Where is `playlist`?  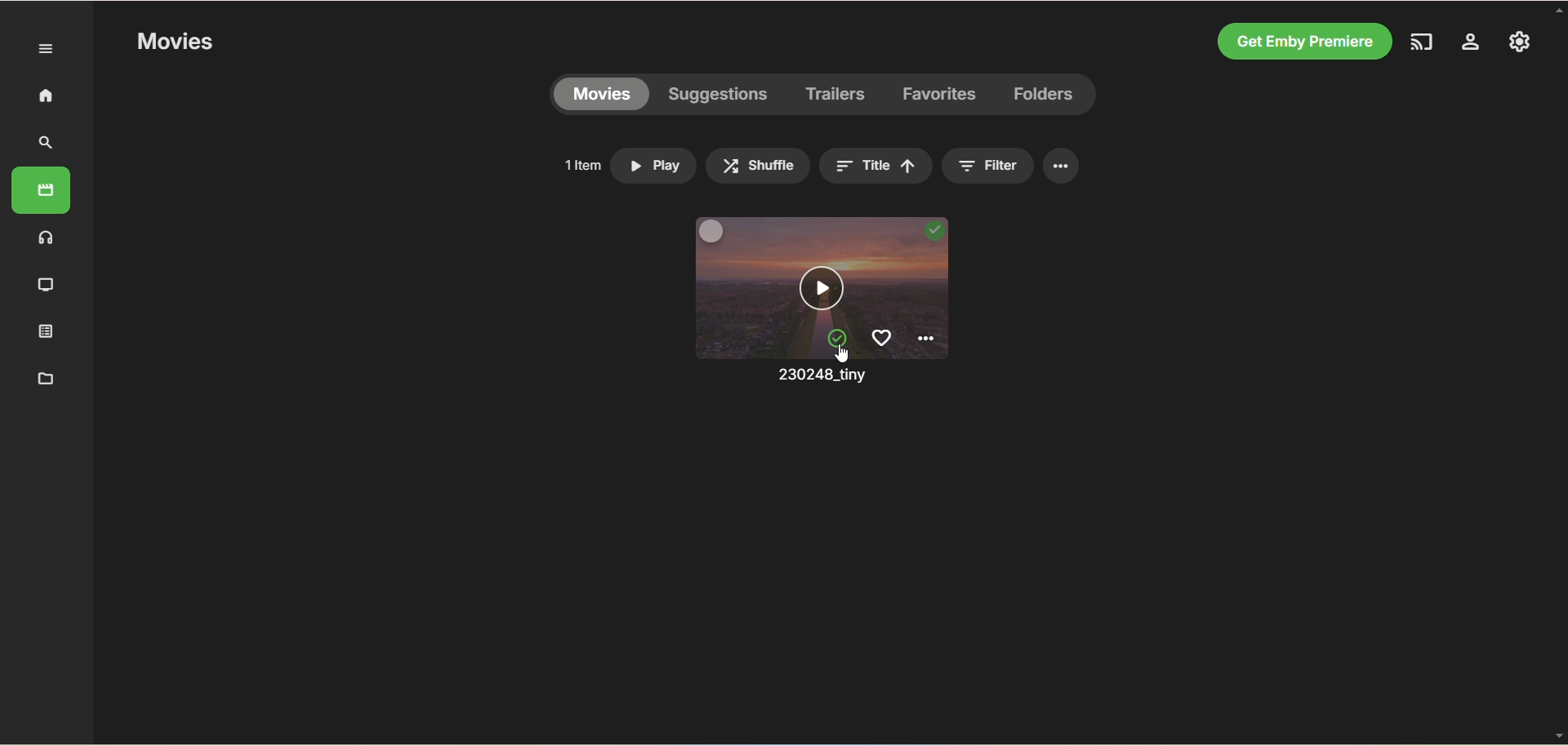
playlist is located at coordinates (42, 332).